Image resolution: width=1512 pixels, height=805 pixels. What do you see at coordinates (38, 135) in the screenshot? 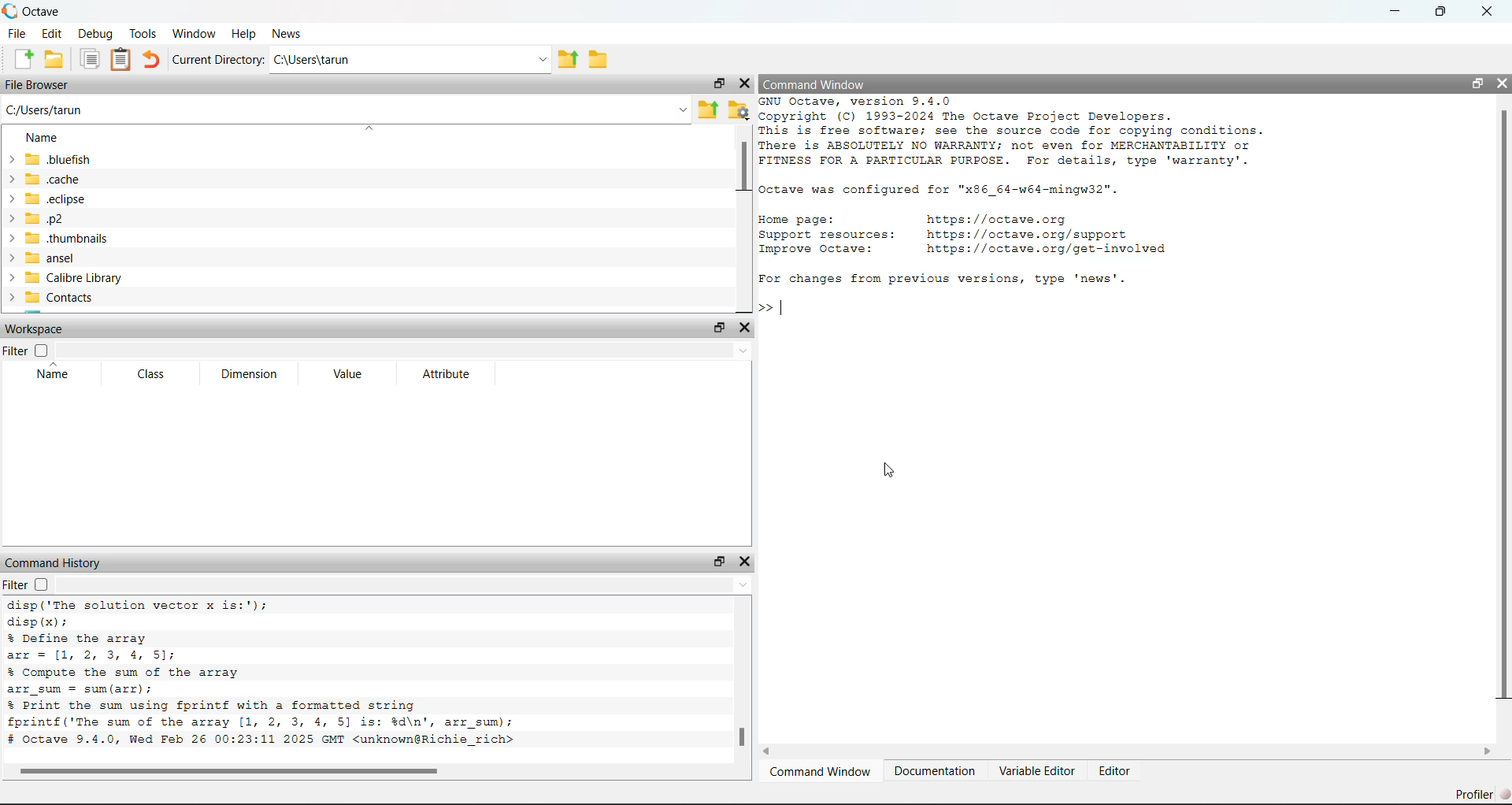
I see `Name` at bounding box center [38, 135].